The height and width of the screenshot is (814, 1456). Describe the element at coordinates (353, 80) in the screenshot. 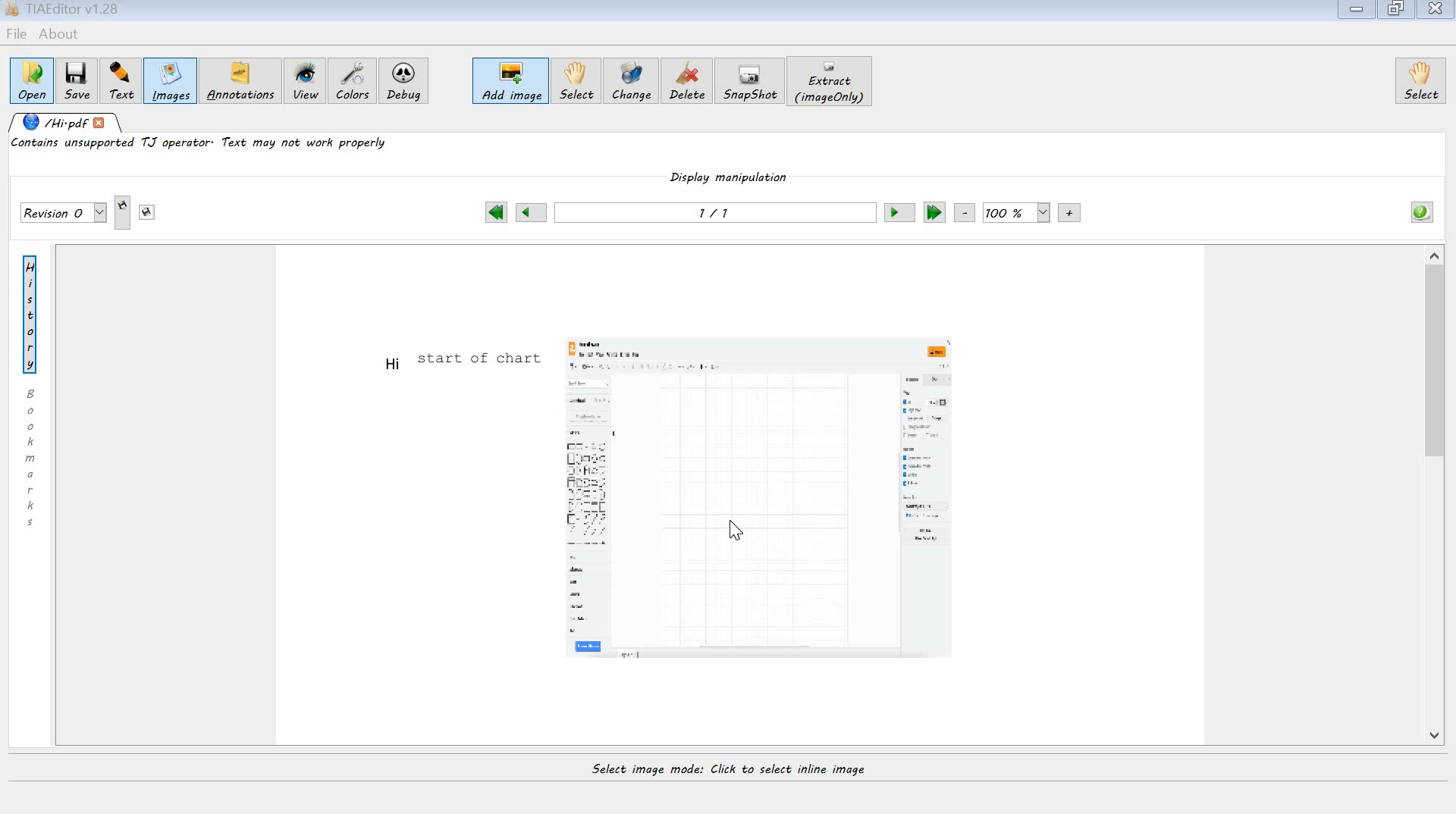

I see `colors` at that location.